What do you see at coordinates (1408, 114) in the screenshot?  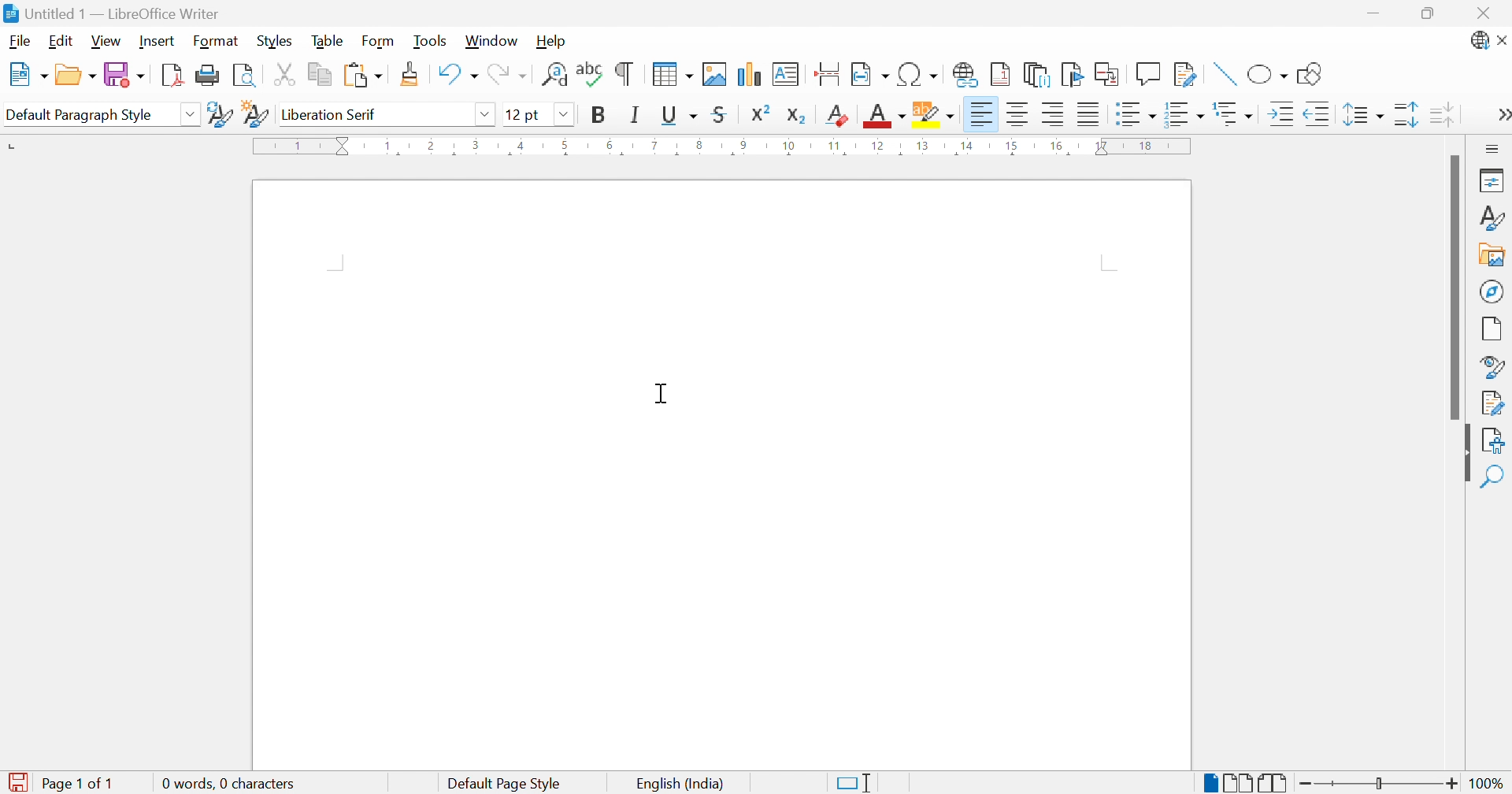 I see `Increase paragraph spacing` at bounding box center [1408, 114].